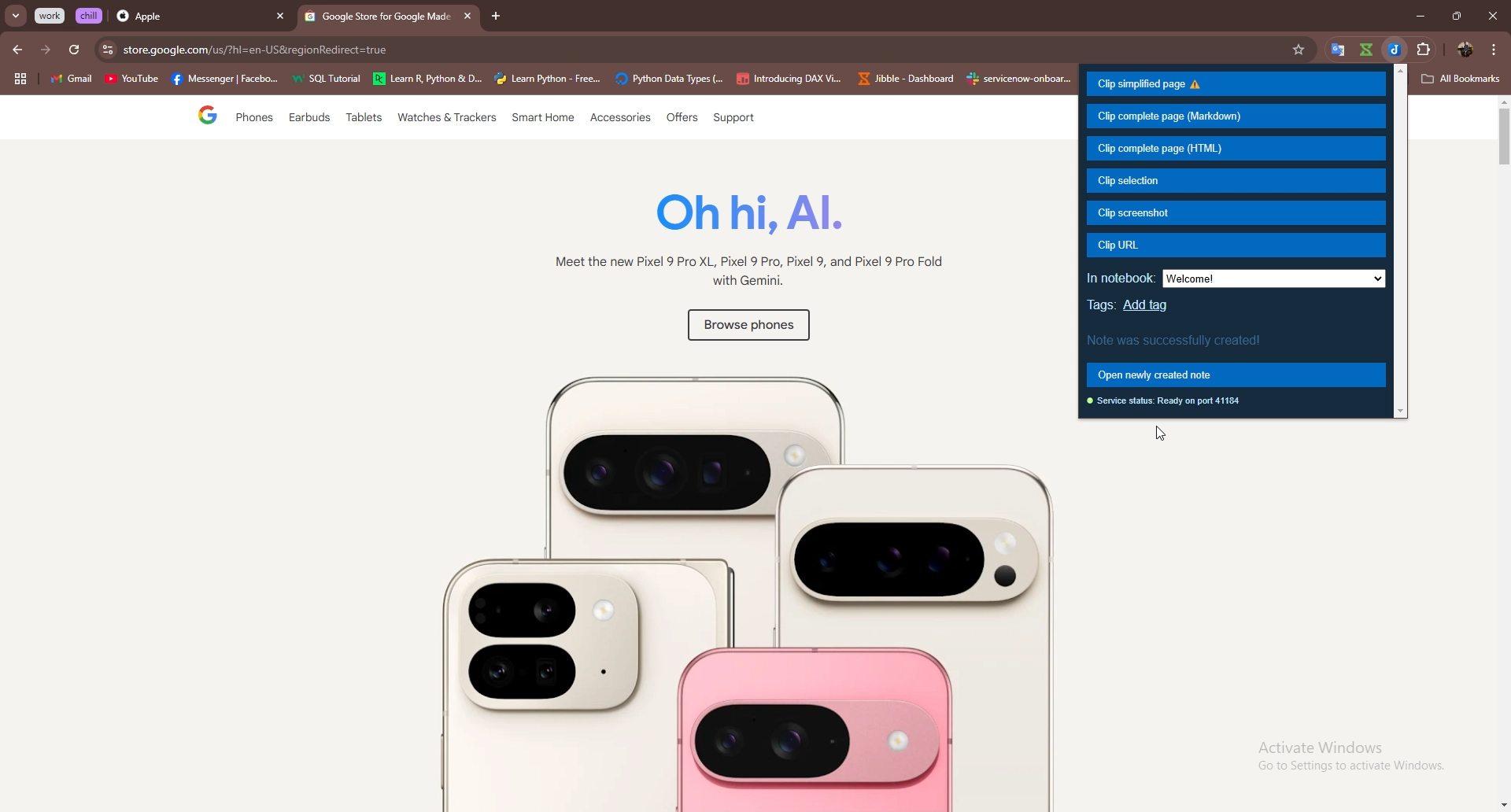  I want to click on clip simplified page, so click(1236, 85).